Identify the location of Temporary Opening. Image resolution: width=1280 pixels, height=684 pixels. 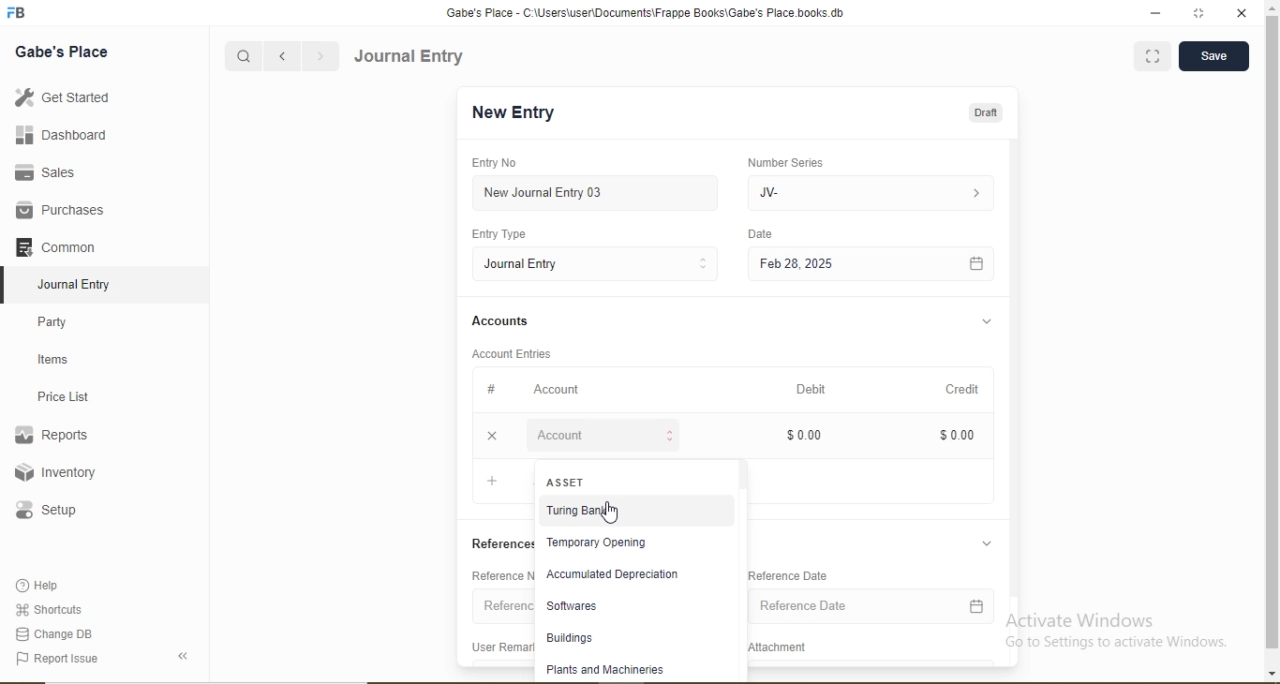
(597, 542).